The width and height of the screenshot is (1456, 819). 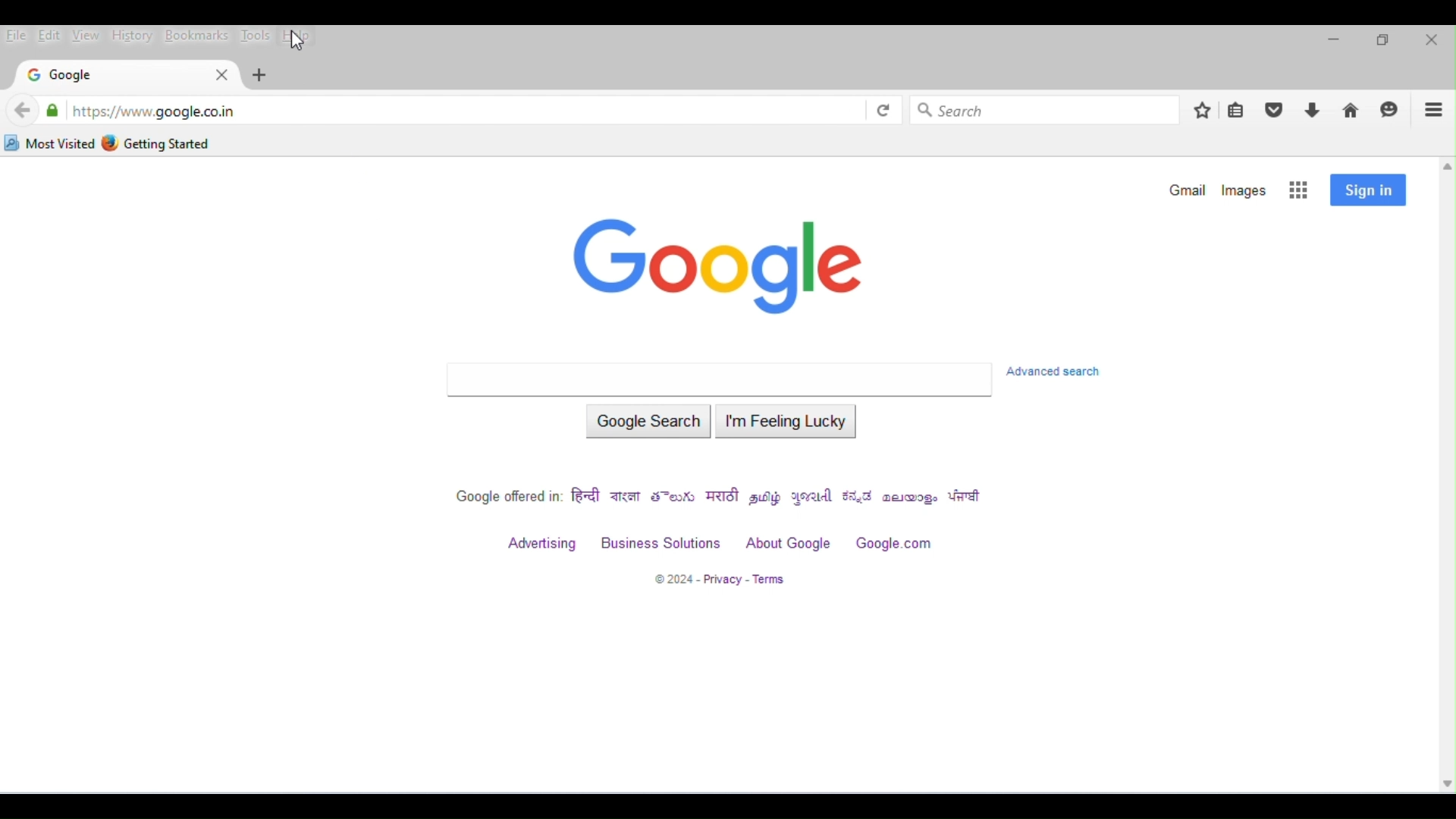 What do you see at coordinates (1313, 111) in the screenshot?
I see `downloads` at bounding box center [1313, 111].